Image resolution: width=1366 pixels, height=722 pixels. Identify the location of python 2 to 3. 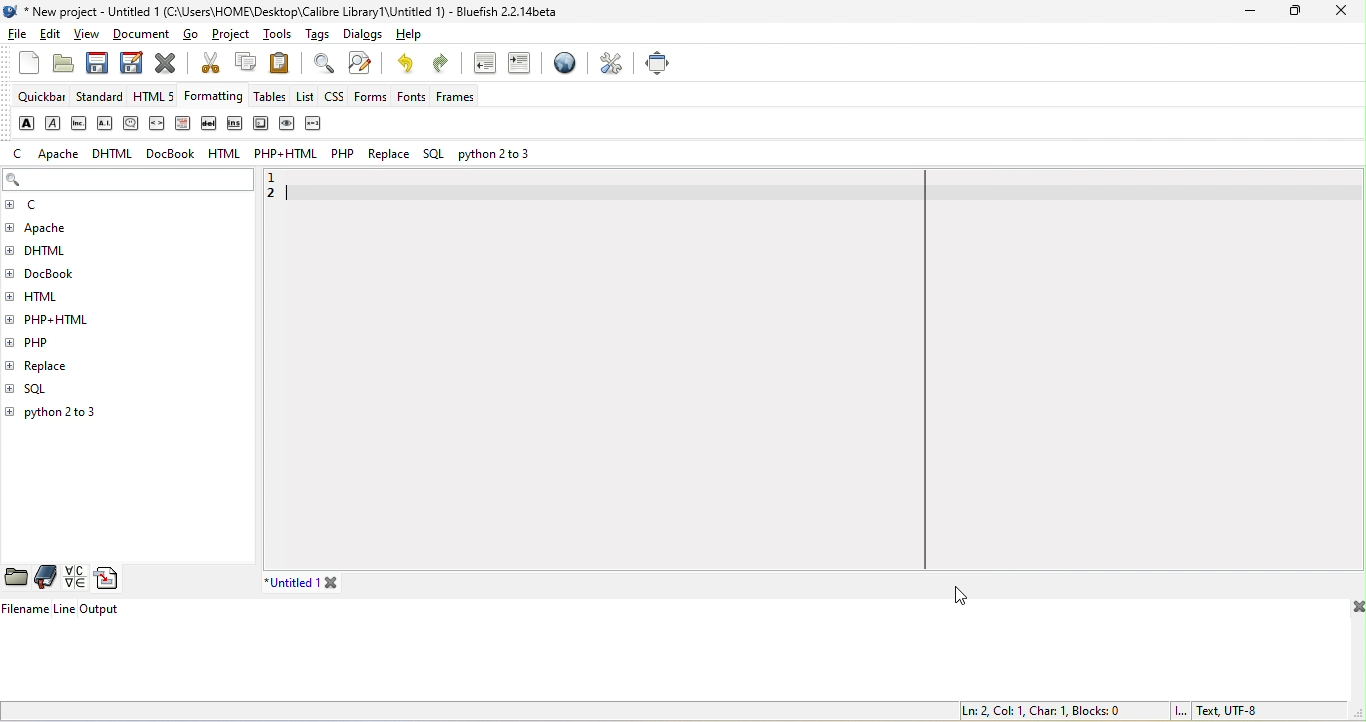
(73, 415).